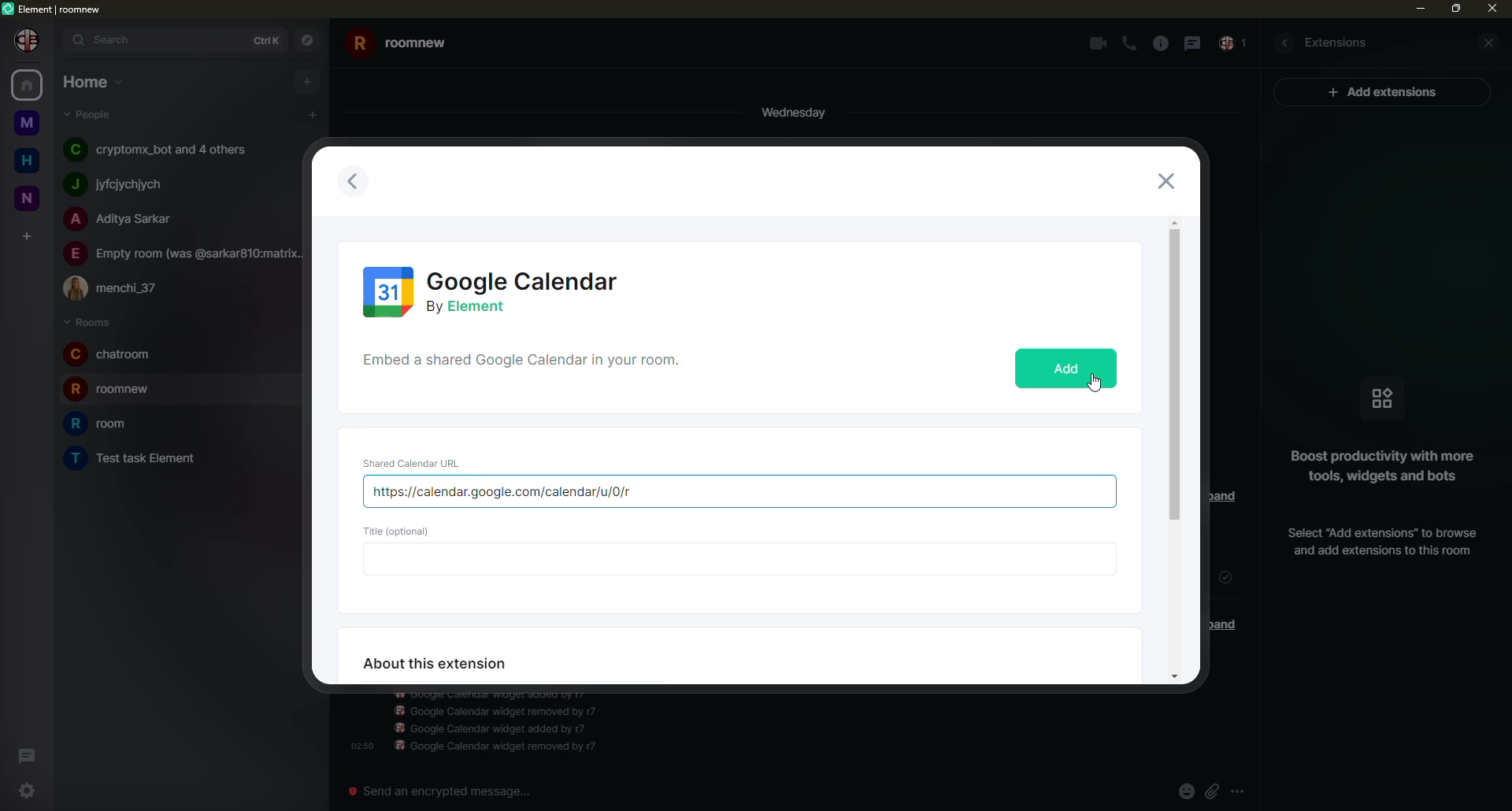 This screenshot has height=811, width=1512. Describe the element at coordinates (359, 745) in the screenshot. I see `time` at that location.